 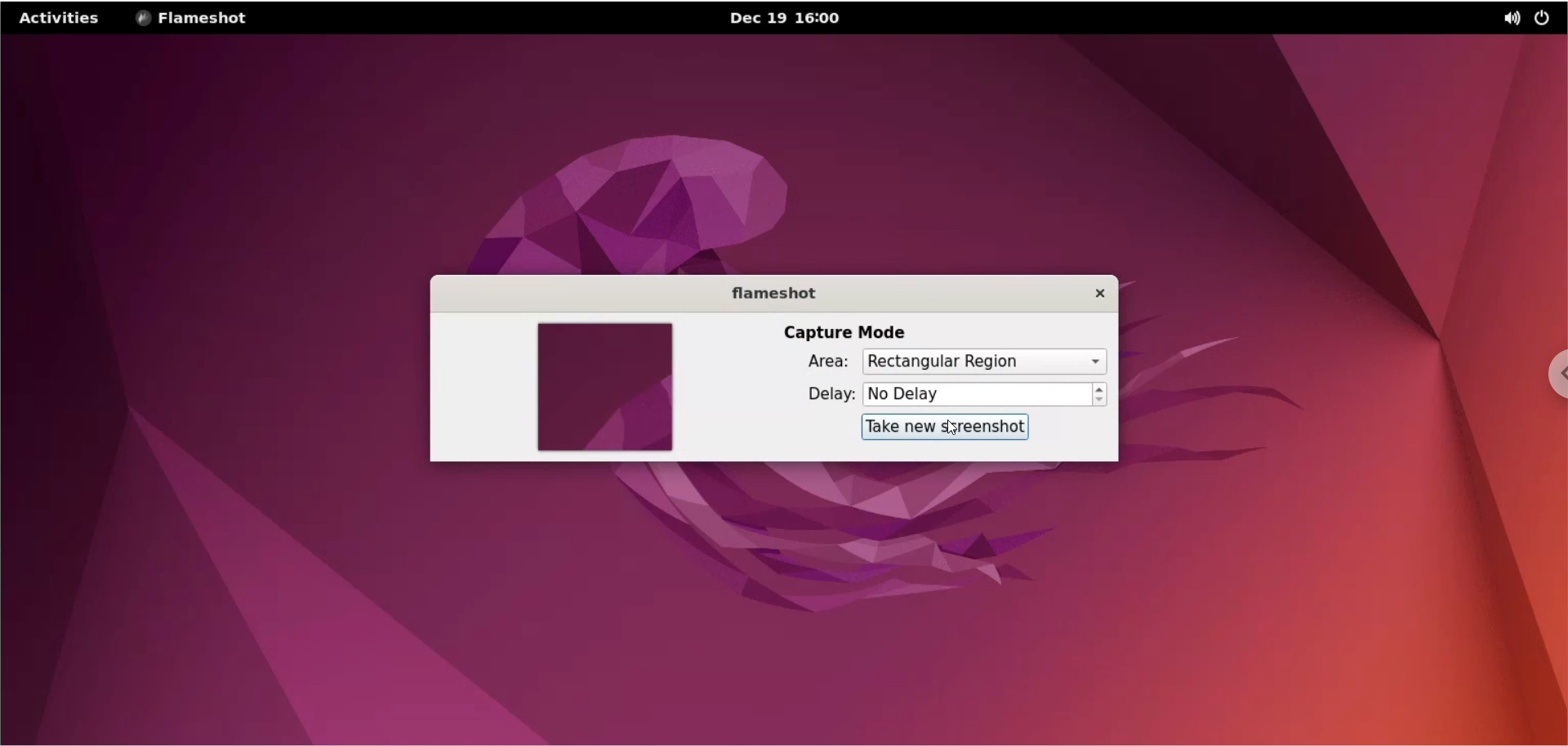 I want to click on power options, so click(x=1547, y=18).